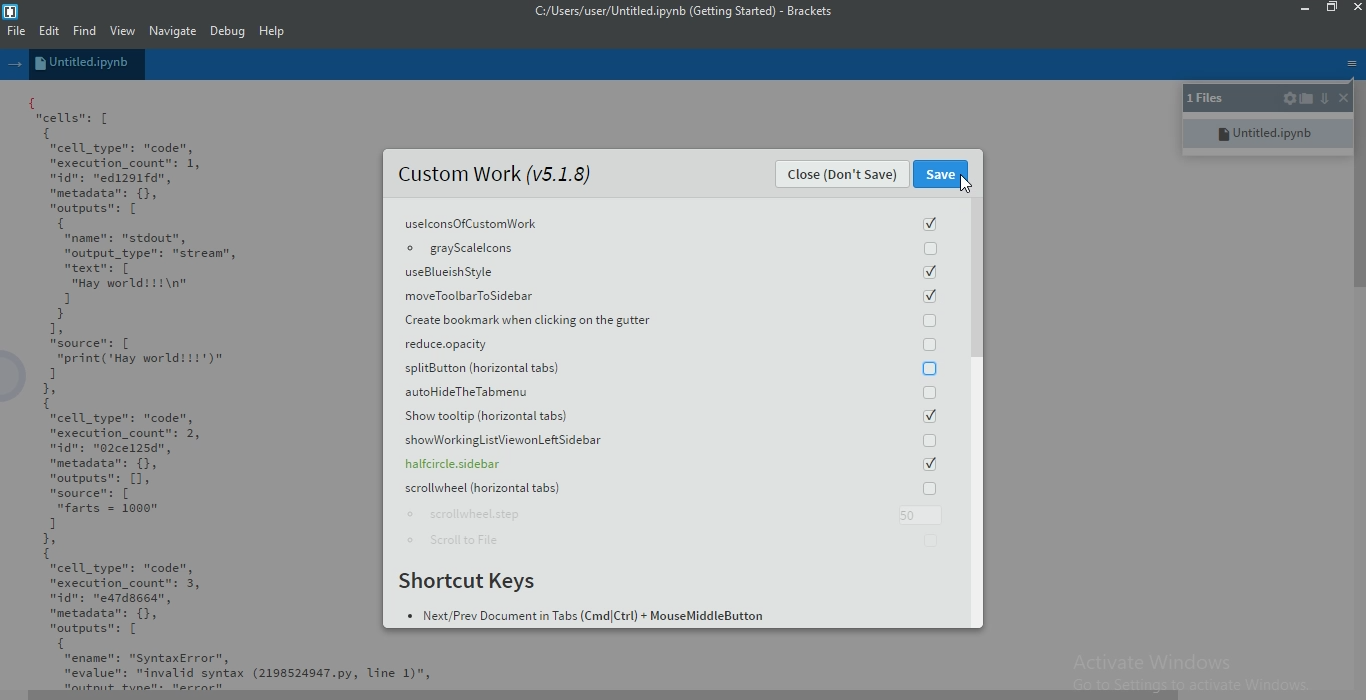  What do you see at coordinates (1331, 10) in the screenshot?
I see `restore` at bounding box center [1331, 10].